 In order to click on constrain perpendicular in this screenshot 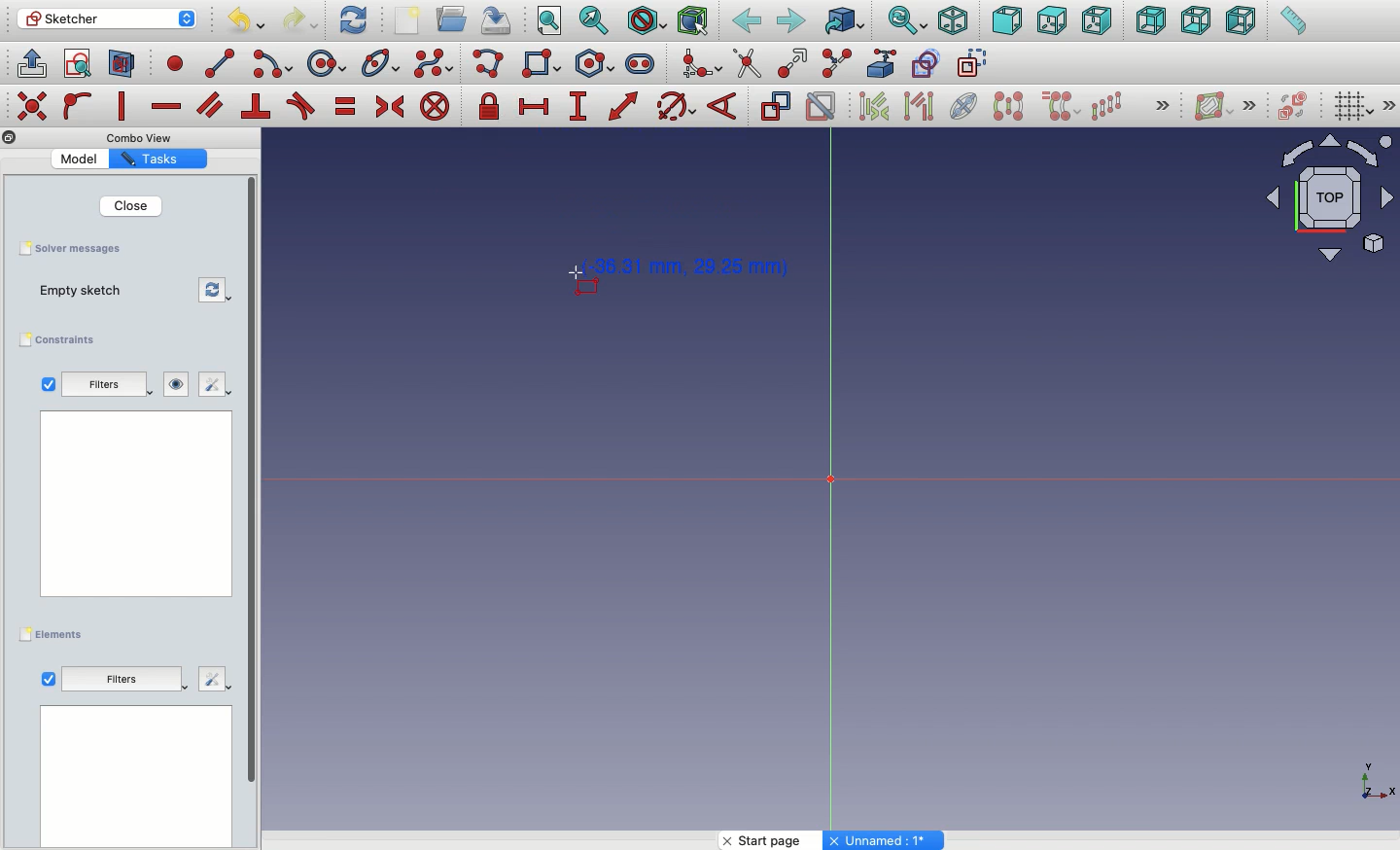, I will do `click(258, 107)`.